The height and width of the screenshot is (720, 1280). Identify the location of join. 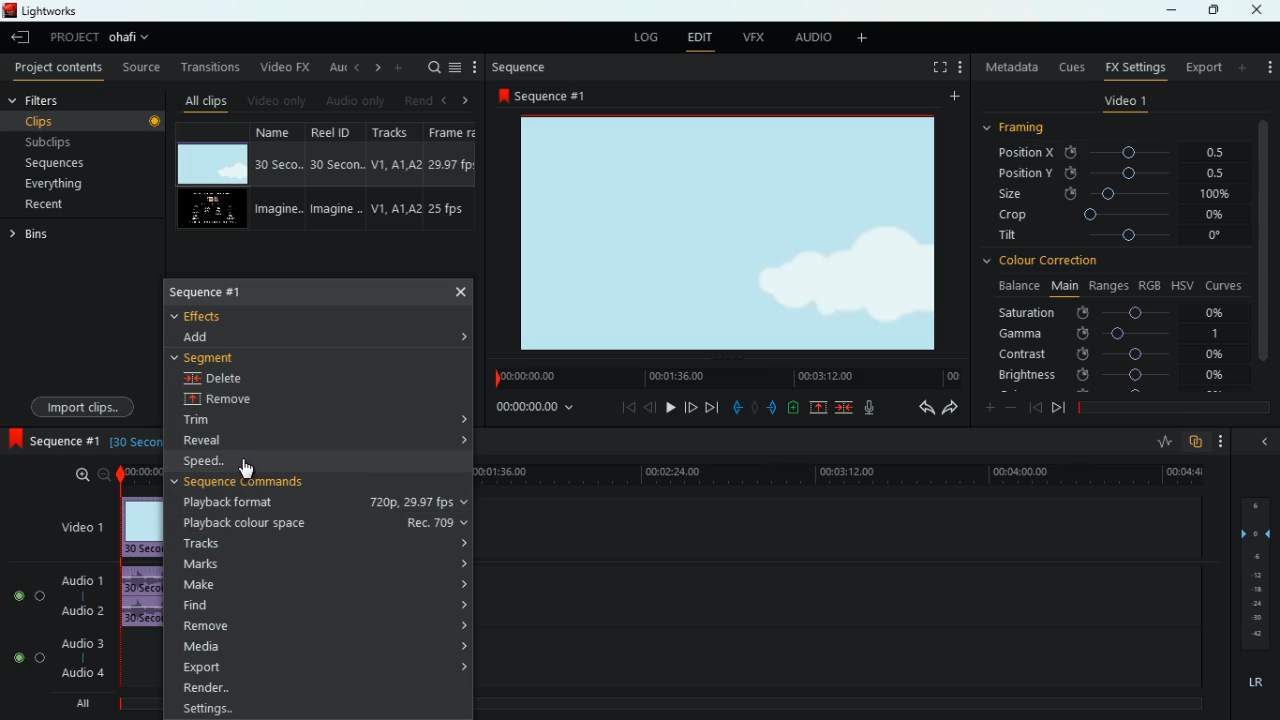
(846, 407).